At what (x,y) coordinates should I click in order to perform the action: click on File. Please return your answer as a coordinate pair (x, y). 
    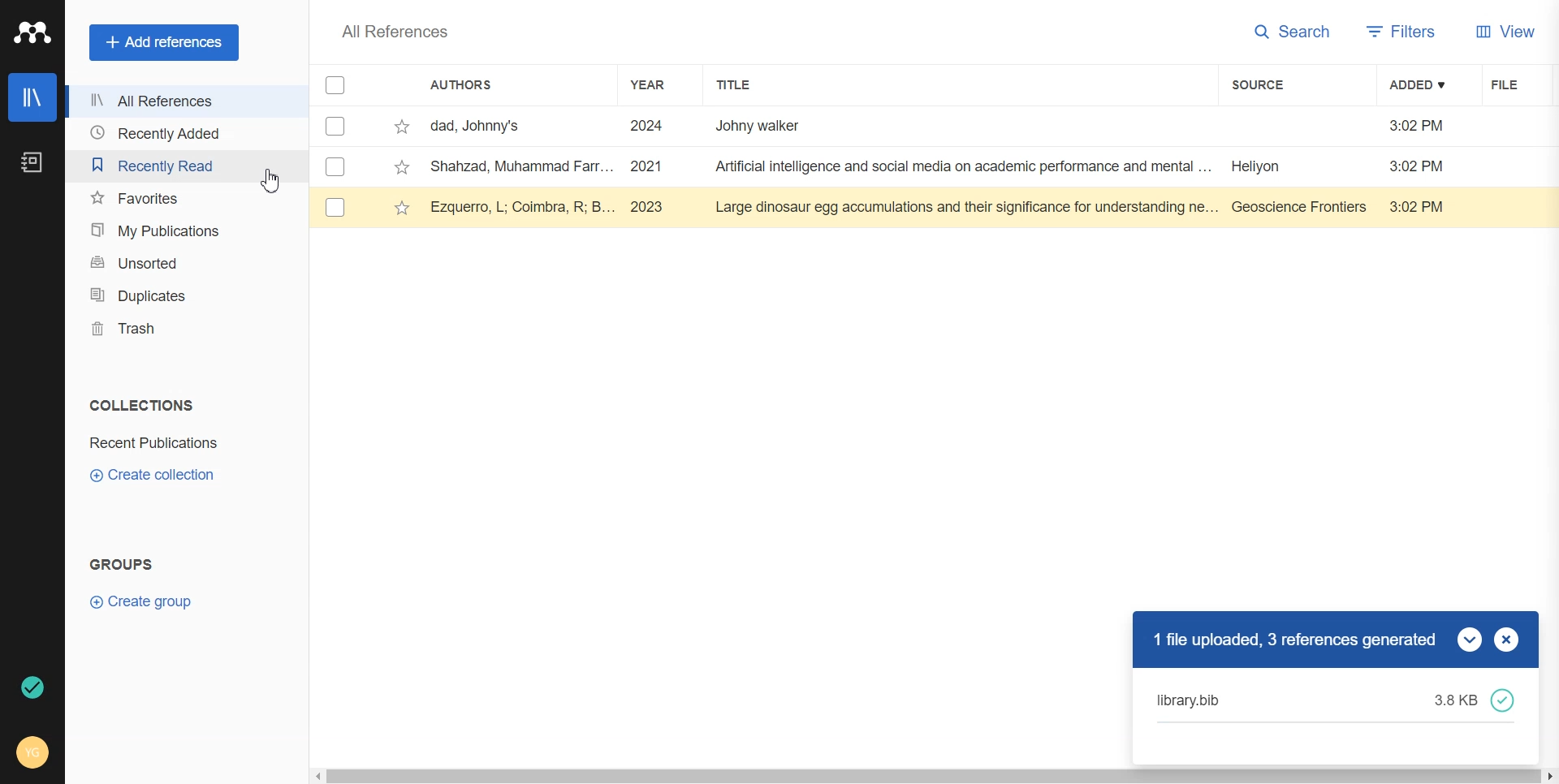
    Looking at the image, I should click on (154, 443).